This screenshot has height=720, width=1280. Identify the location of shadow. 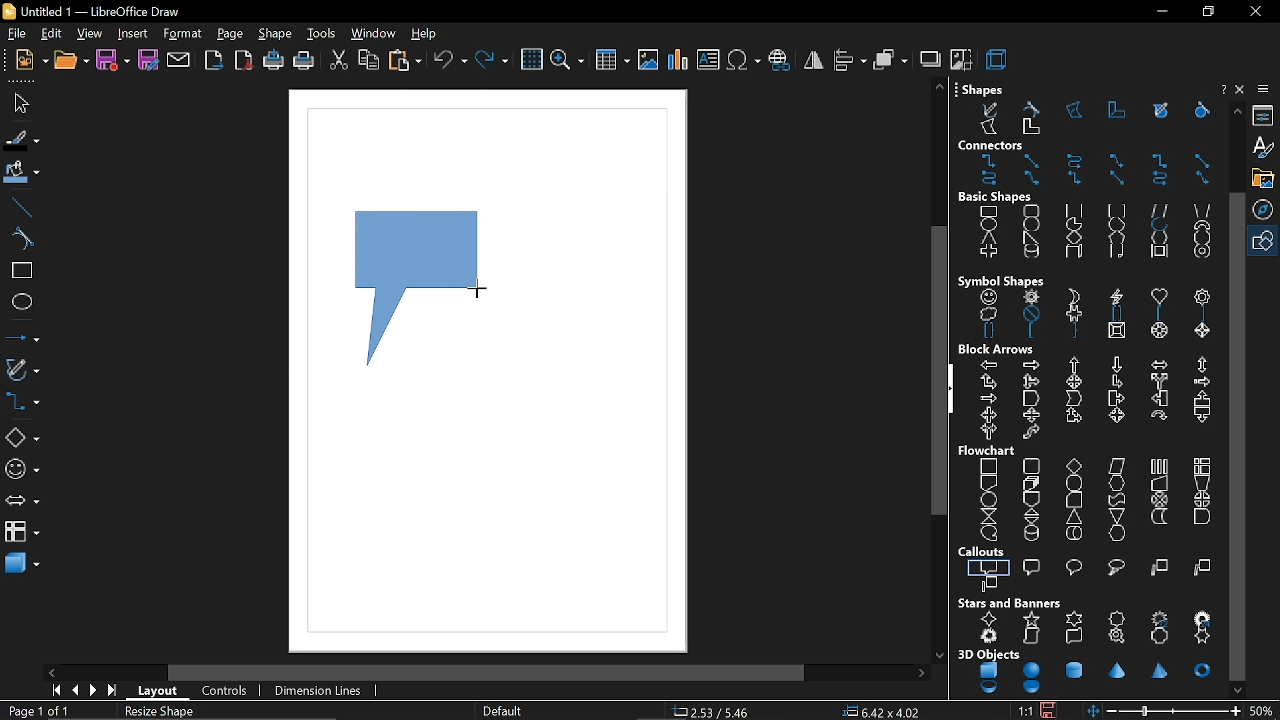
(929, 58).